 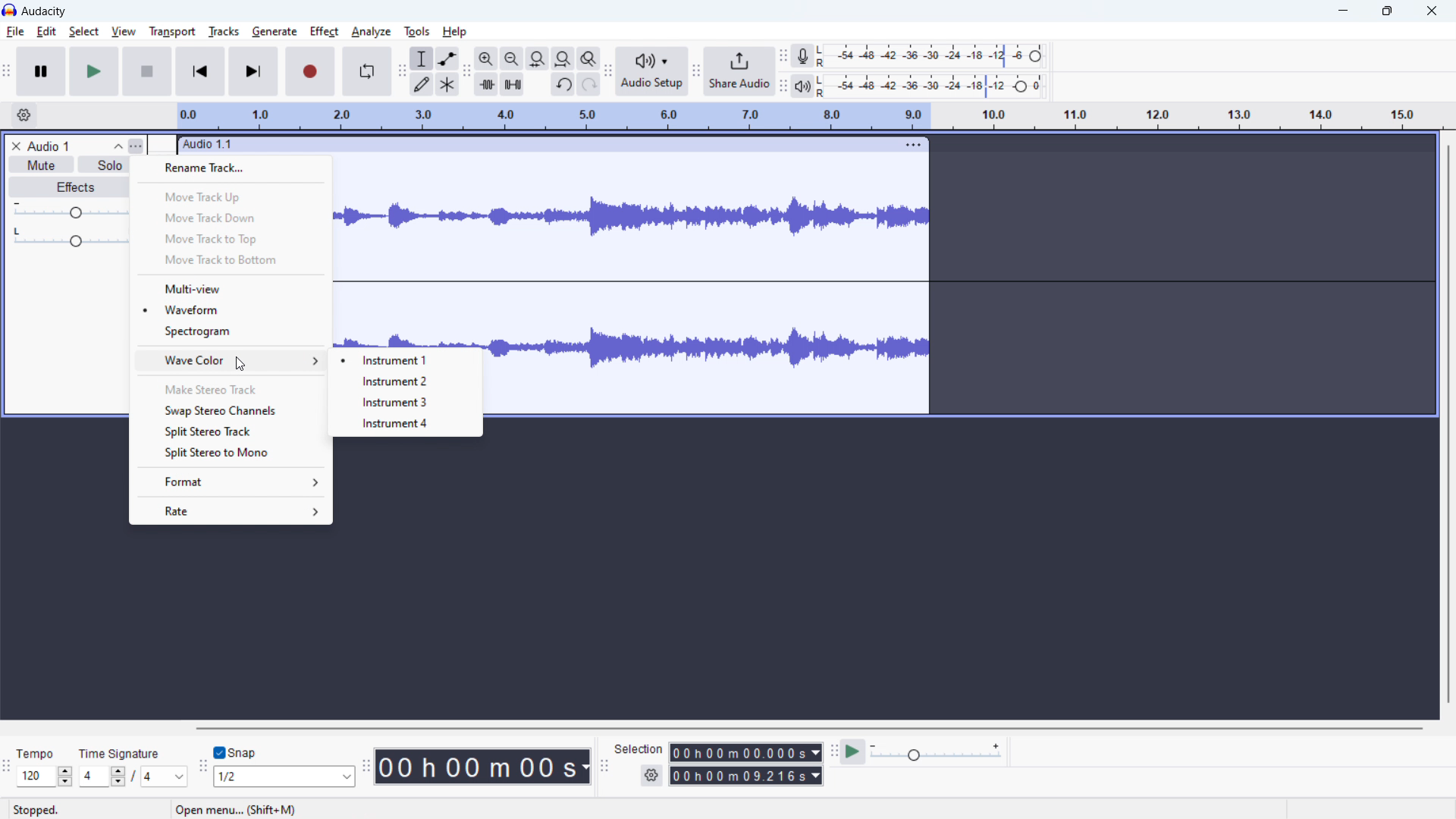 What do you see at coordinates (227, 431) in the screenshot?
I see `split stereo track` at bounding box center [227, 431].